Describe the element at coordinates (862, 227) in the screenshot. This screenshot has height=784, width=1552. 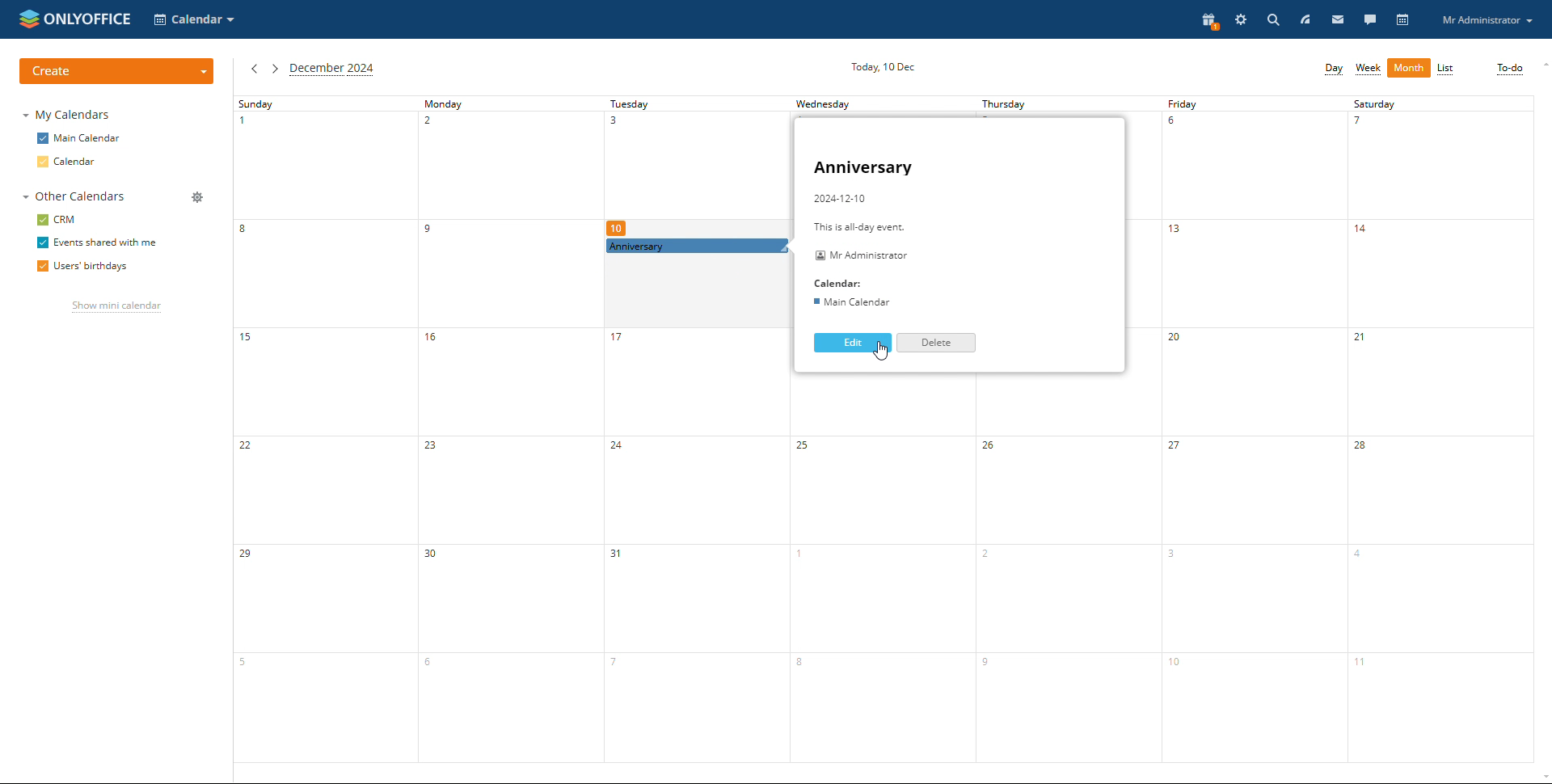
I see `This is all-day event.` at that location.